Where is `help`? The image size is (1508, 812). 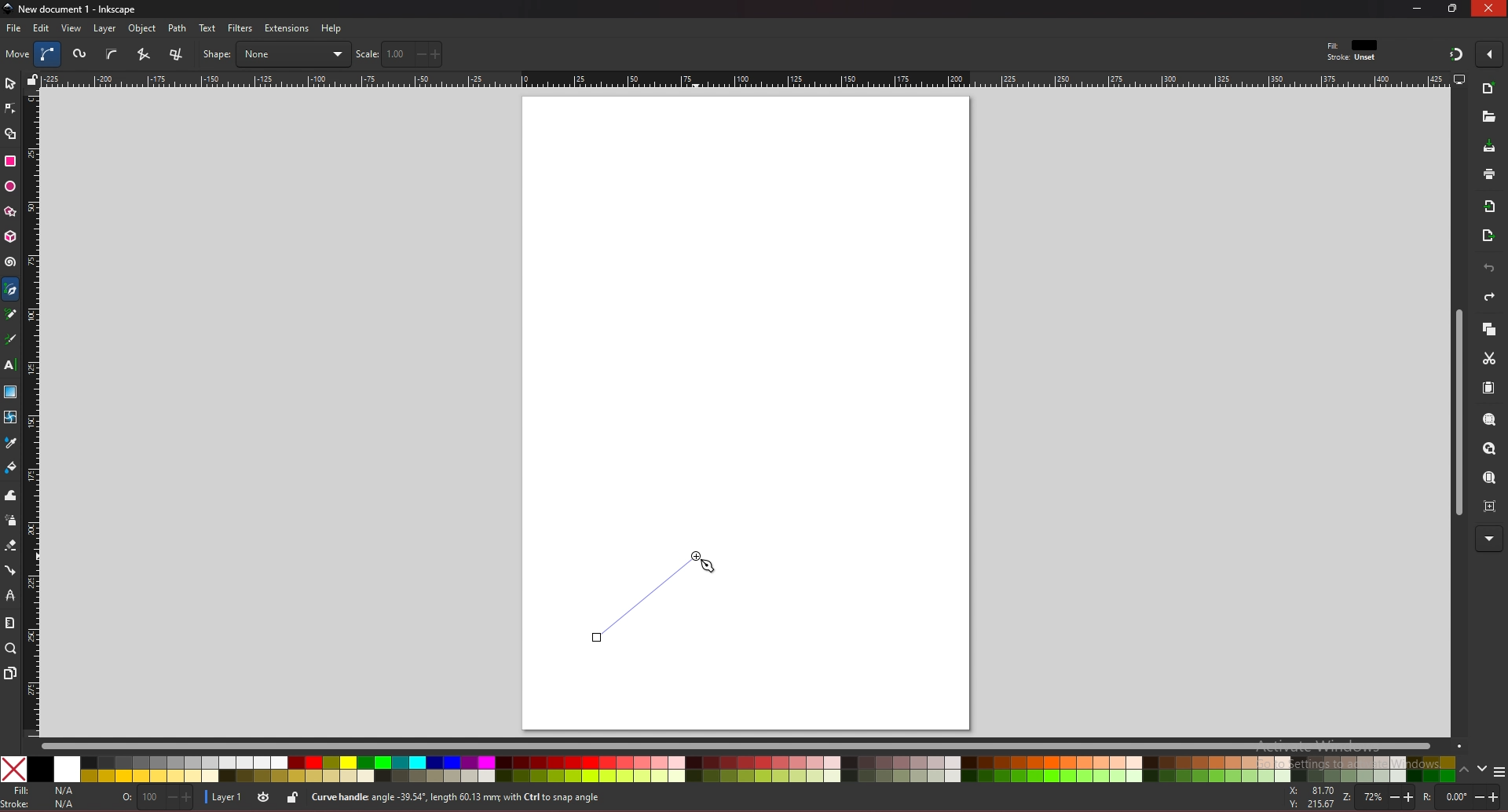
help is located at coordinates (332, 28).